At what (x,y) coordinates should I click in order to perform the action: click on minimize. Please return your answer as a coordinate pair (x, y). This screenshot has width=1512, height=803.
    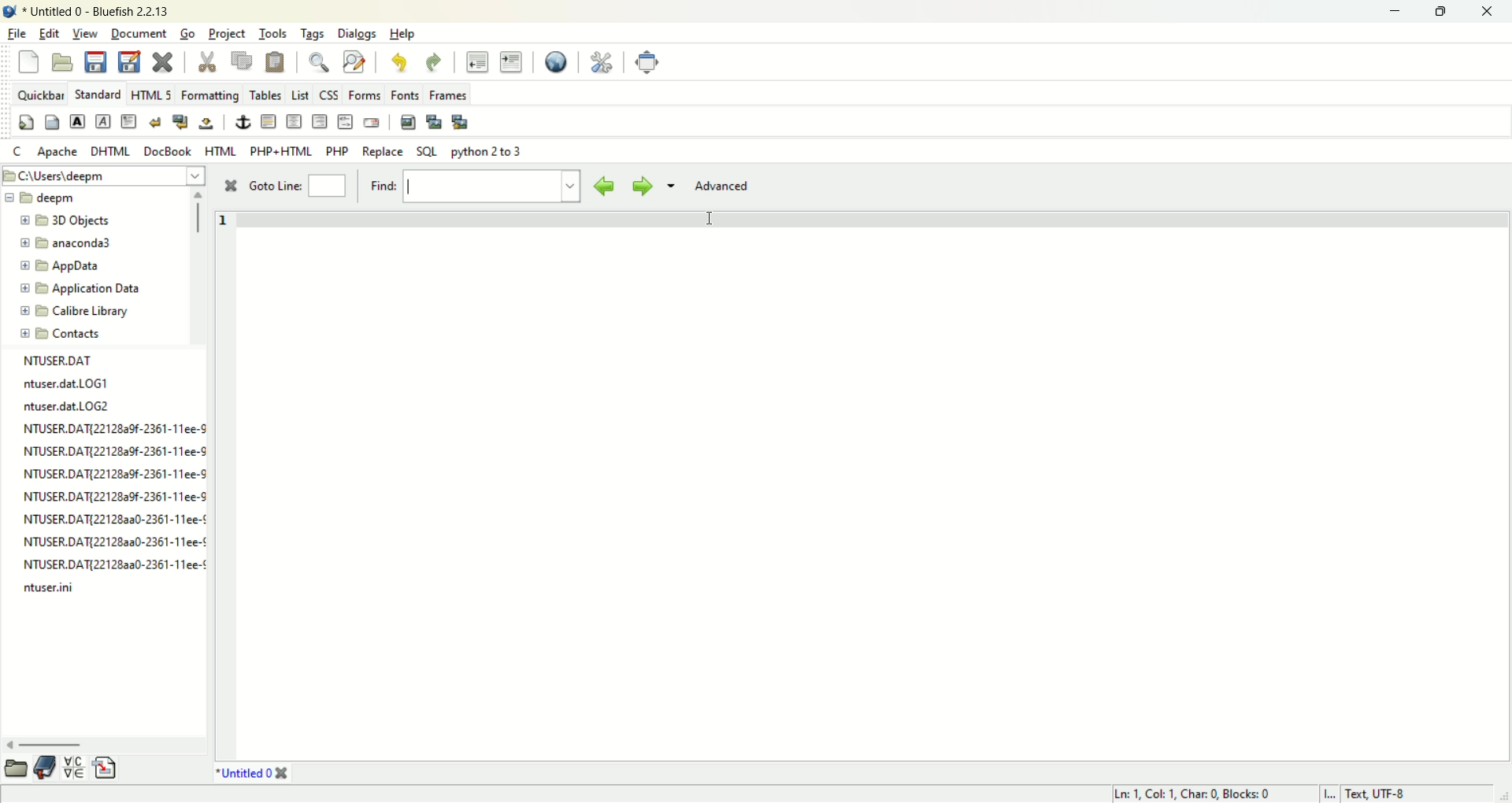
    Looking at the image, I should click on (1392, 13).